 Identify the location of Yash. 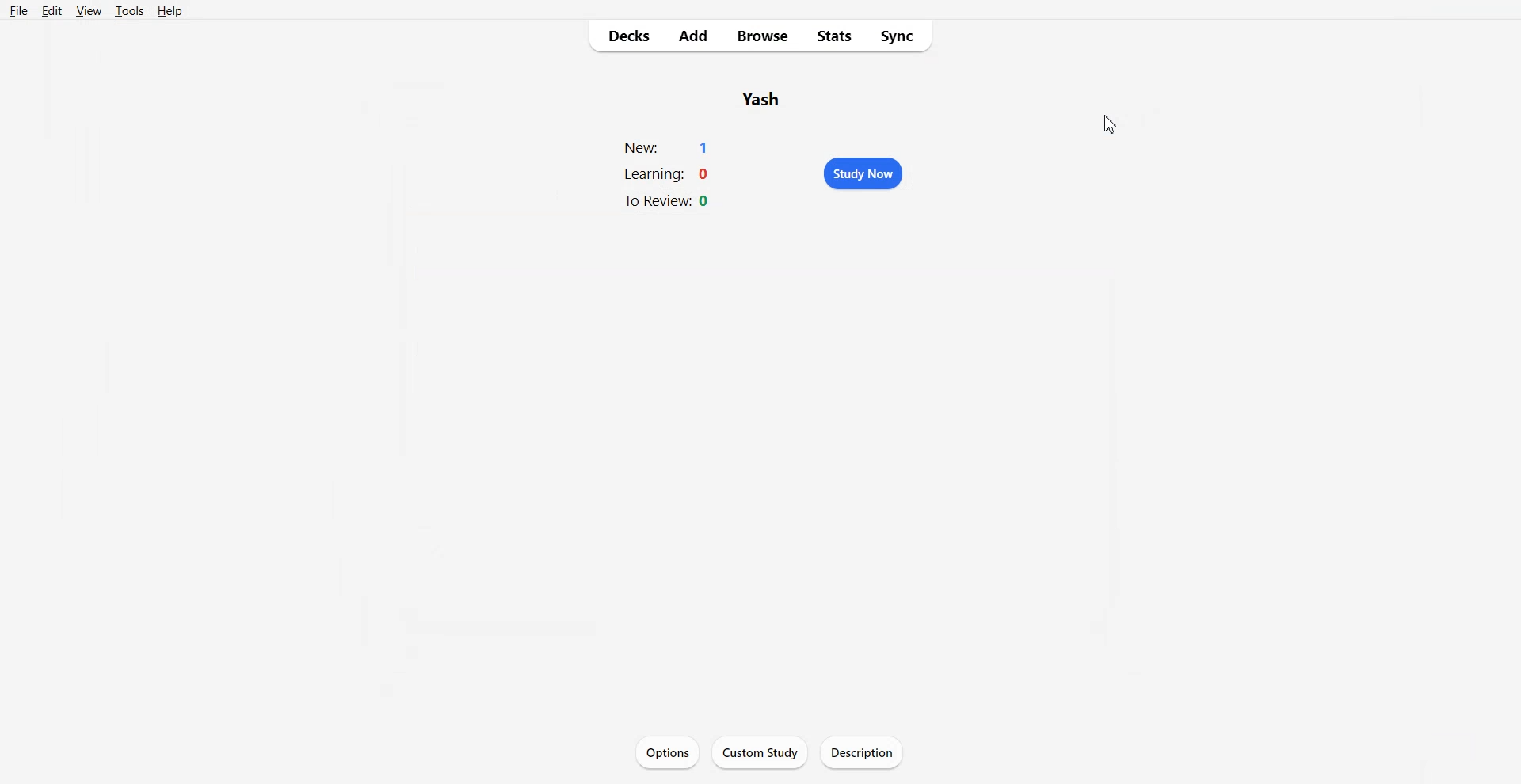
(764, 97).